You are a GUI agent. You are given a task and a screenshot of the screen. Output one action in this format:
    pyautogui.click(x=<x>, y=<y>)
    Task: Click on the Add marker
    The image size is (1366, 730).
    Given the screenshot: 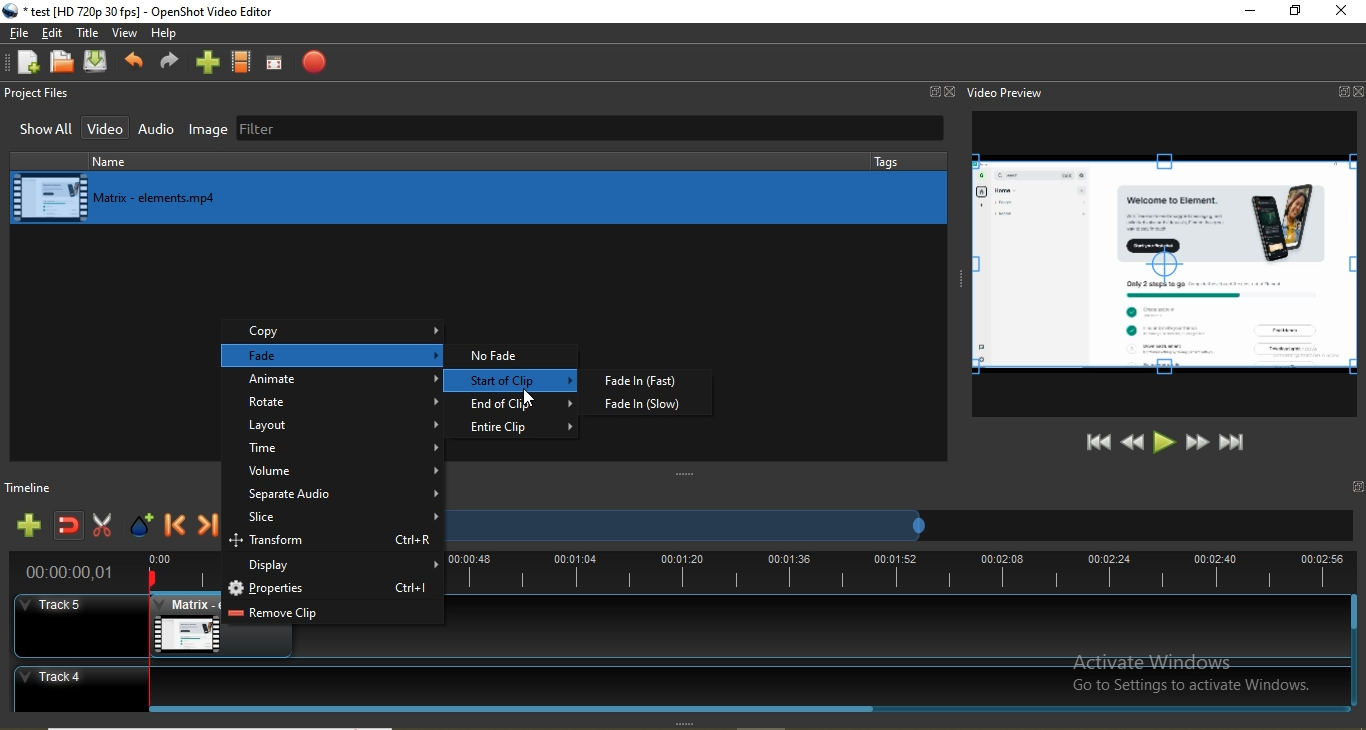 What is the action you would take?
    pyautogui.click(x=142, y=529)
    